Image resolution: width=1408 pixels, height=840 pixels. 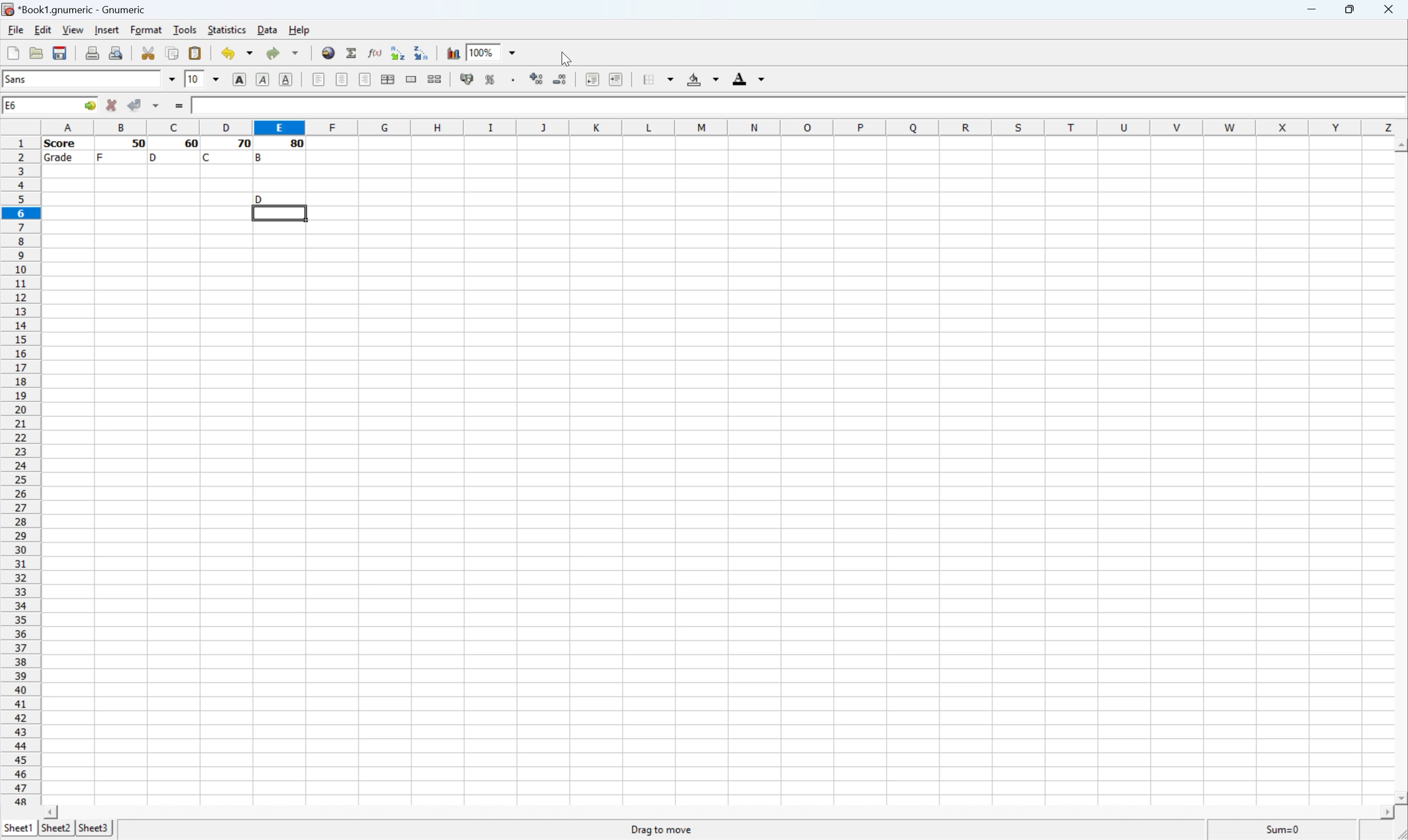 What do you see at coordinates (114, 106) in the screenshot?
I see `Cancel change` at bounding box center [114, 106].